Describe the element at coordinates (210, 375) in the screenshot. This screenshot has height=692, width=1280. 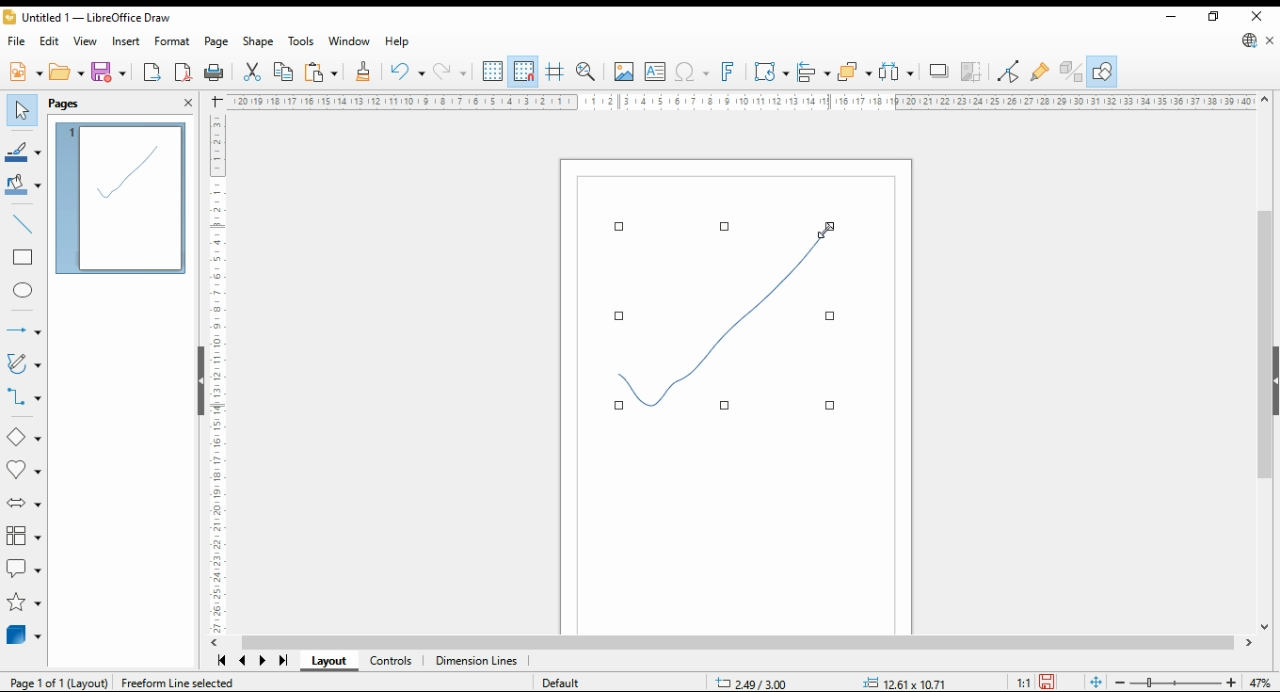
I see `ruler` at that location.